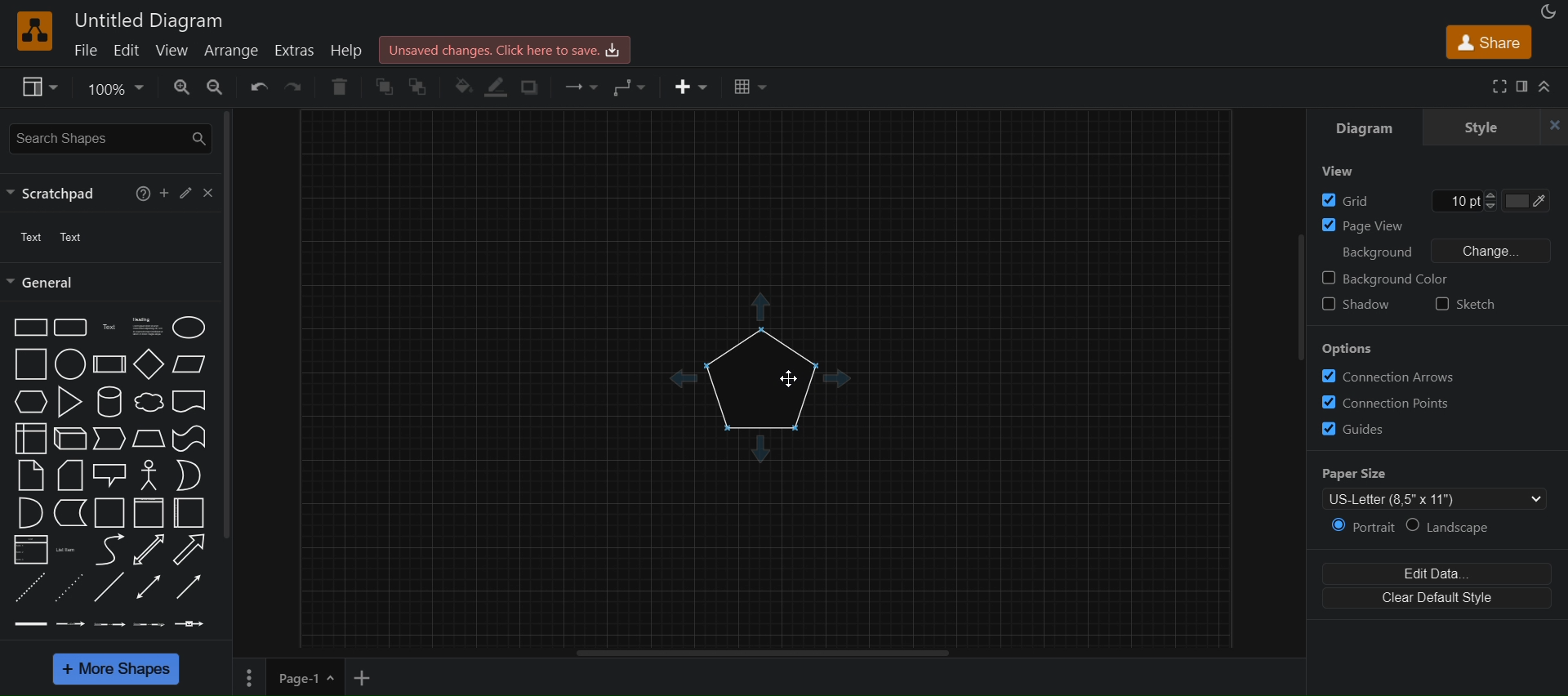 The width and height of the screenshot is (1568, 696). What do you see at coordinates (29, 587) in the screenshot?
I see `Dashed line` at bounding box center [29, 587].